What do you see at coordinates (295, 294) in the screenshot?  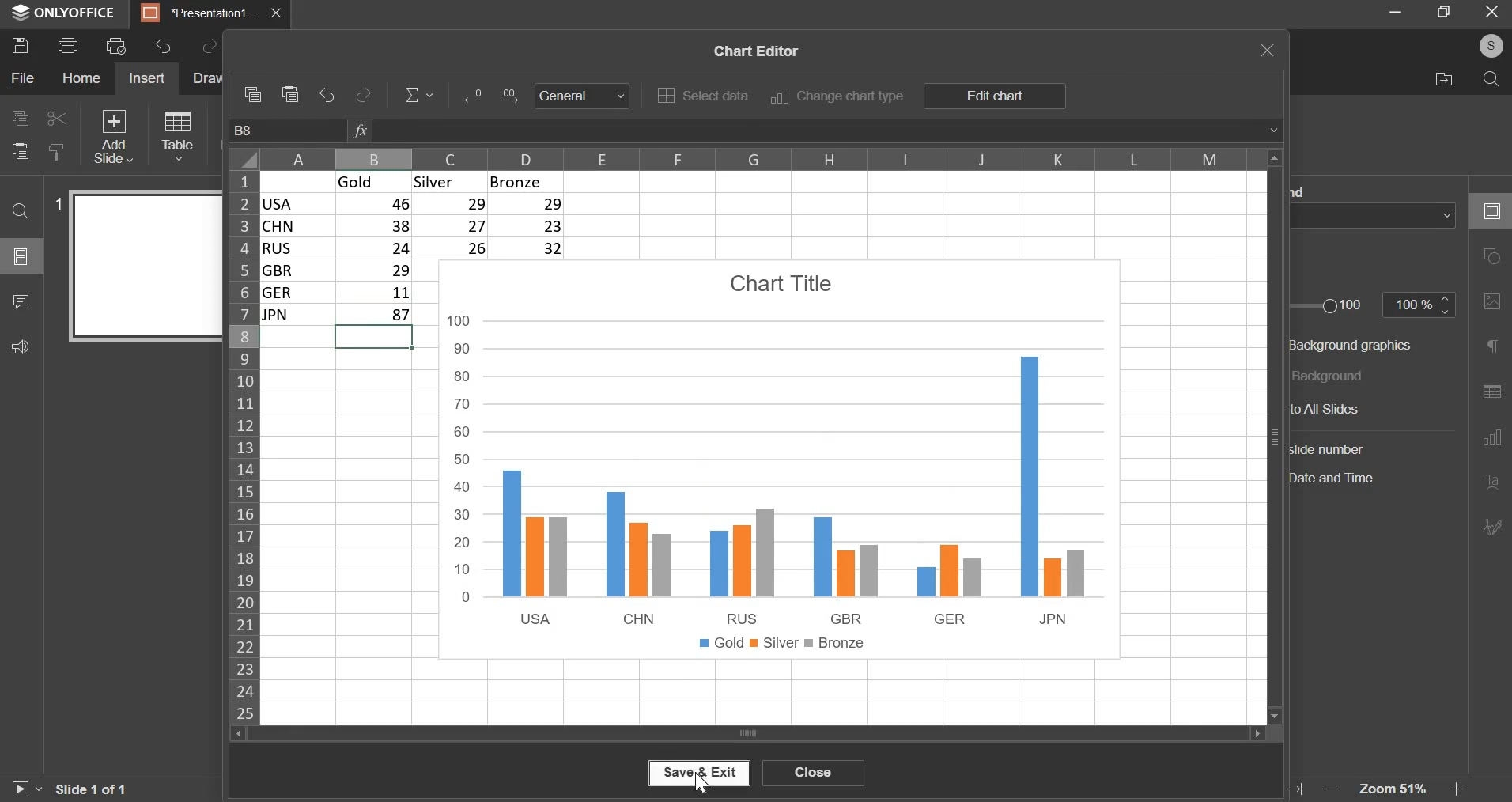 I see `ger` at bounding box center [295, 294].